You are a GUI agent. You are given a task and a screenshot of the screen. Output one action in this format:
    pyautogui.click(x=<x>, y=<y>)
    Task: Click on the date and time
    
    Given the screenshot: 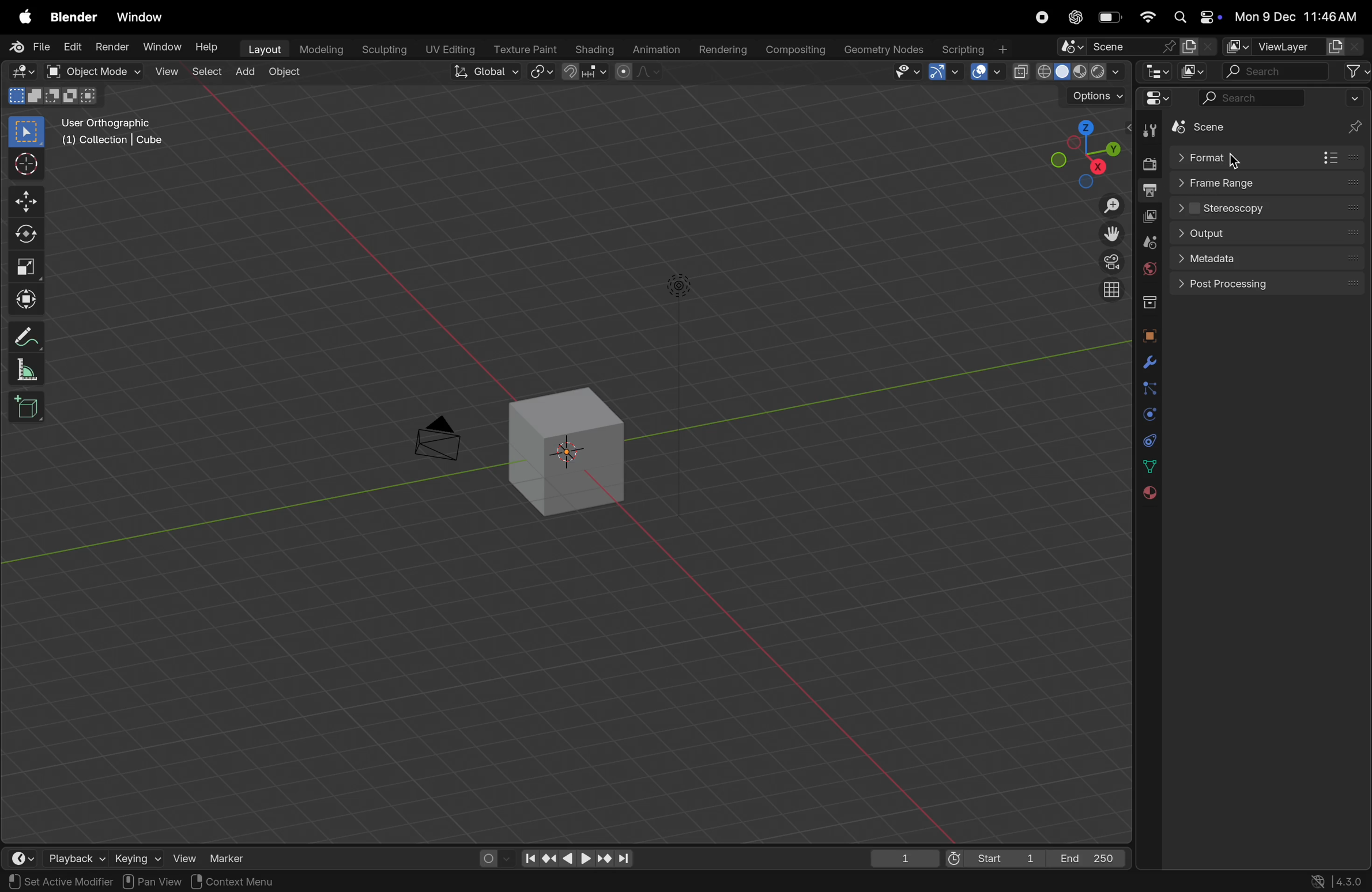 What is the action you would take?
    pyautogui.click(x=1297, y=16)
    